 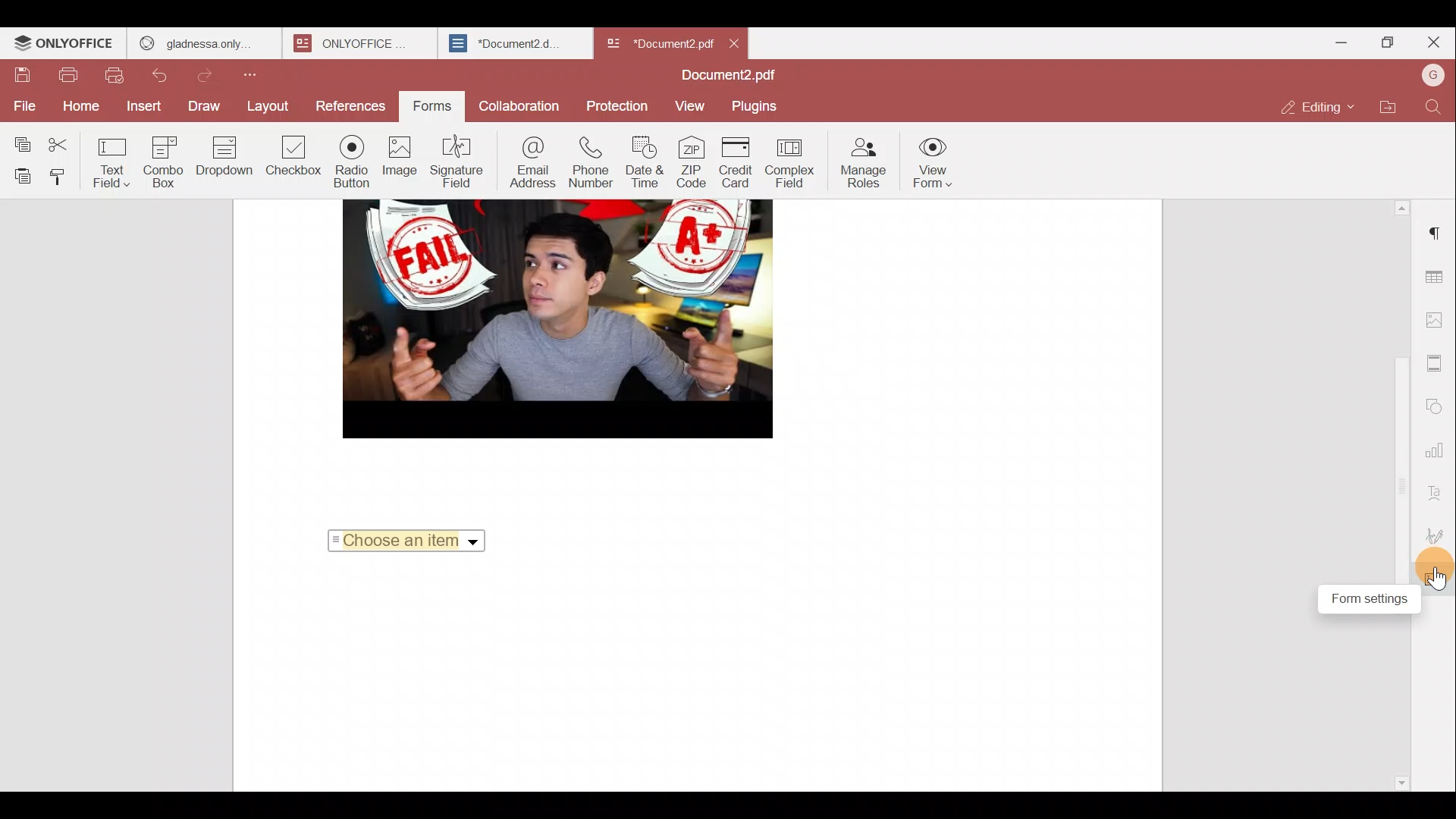 What do you see at coordinates (518, 105) in the screenshot?
I see `Collaboration` at bounding box center [518, 105].